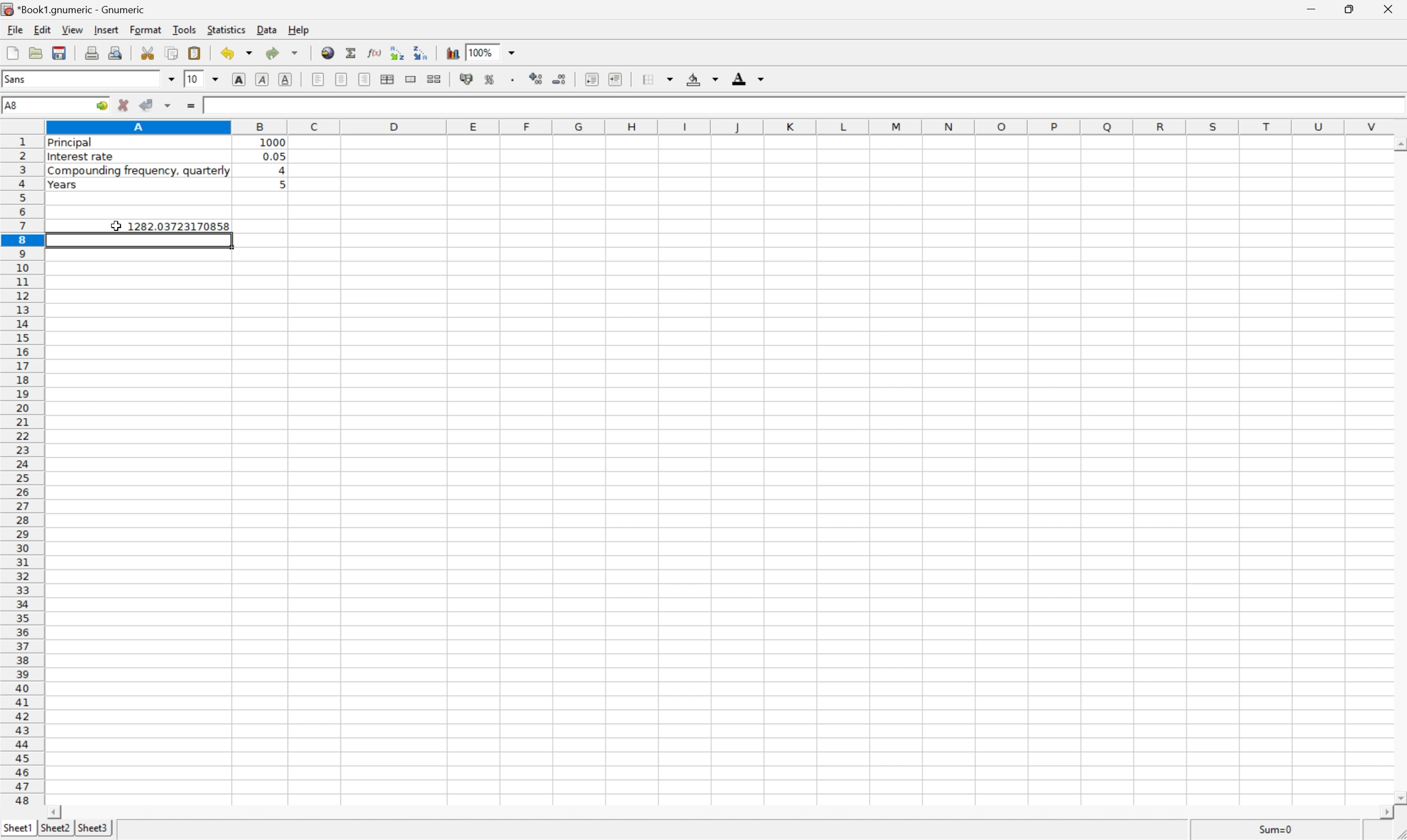 The image size is (1407, 840). What do you see at coordinates (490, 79) in the screenshot?
I see `format selection as percentage` at bounding box center [490, 79].